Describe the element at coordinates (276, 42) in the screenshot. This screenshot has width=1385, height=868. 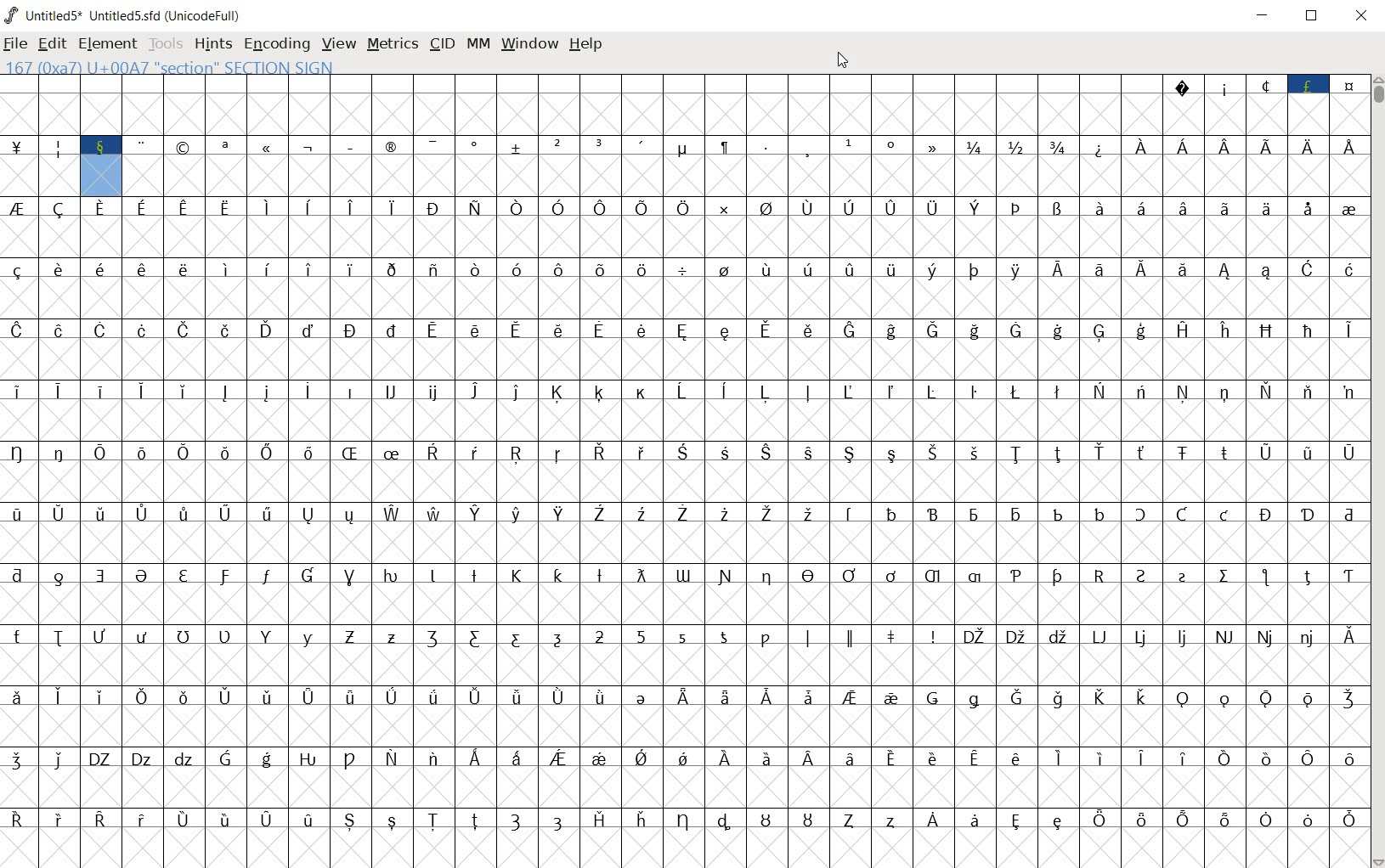
I see `encoding` at that location.